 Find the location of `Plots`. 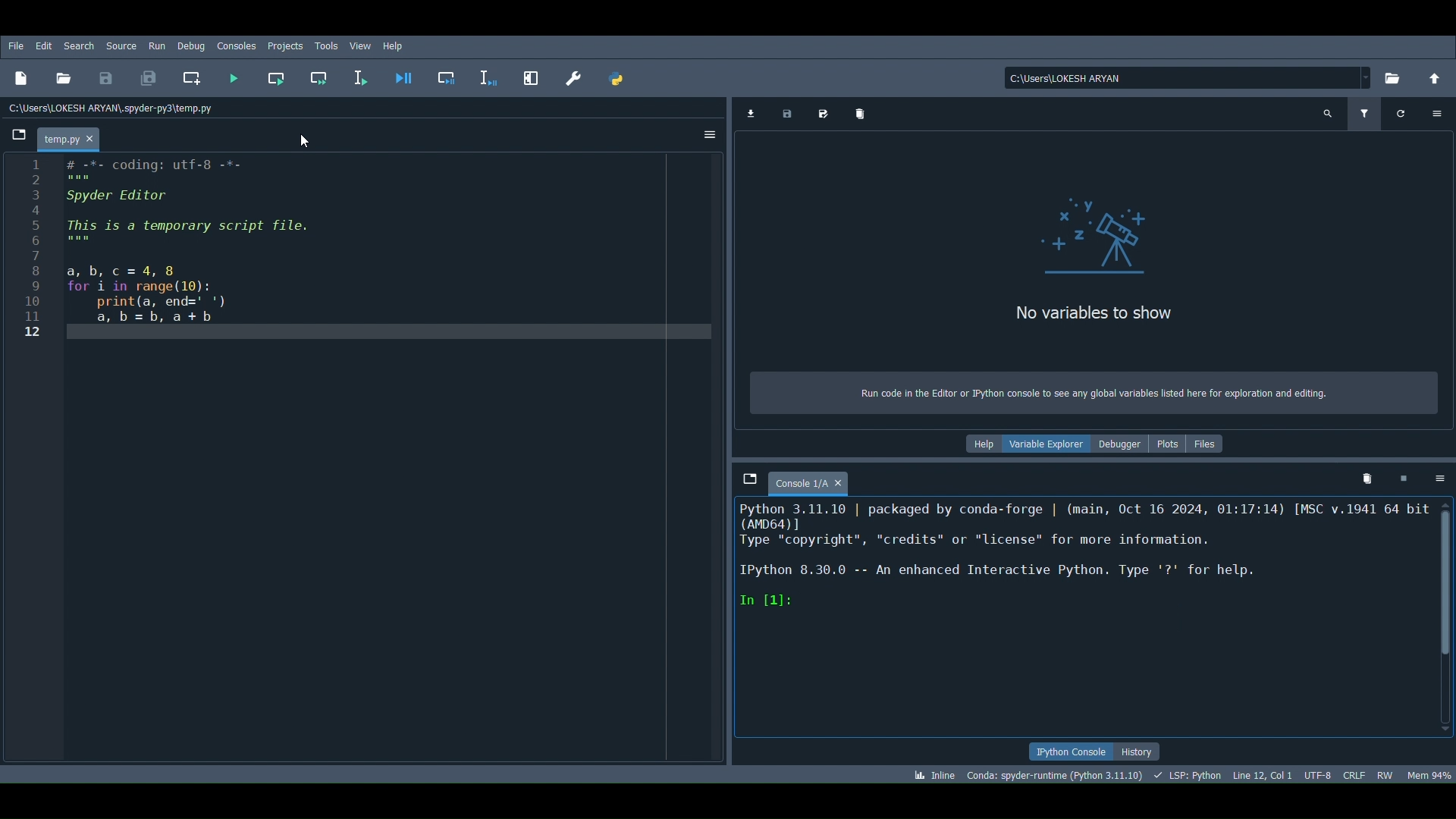

Plots is located at coordinates (1170, 443).